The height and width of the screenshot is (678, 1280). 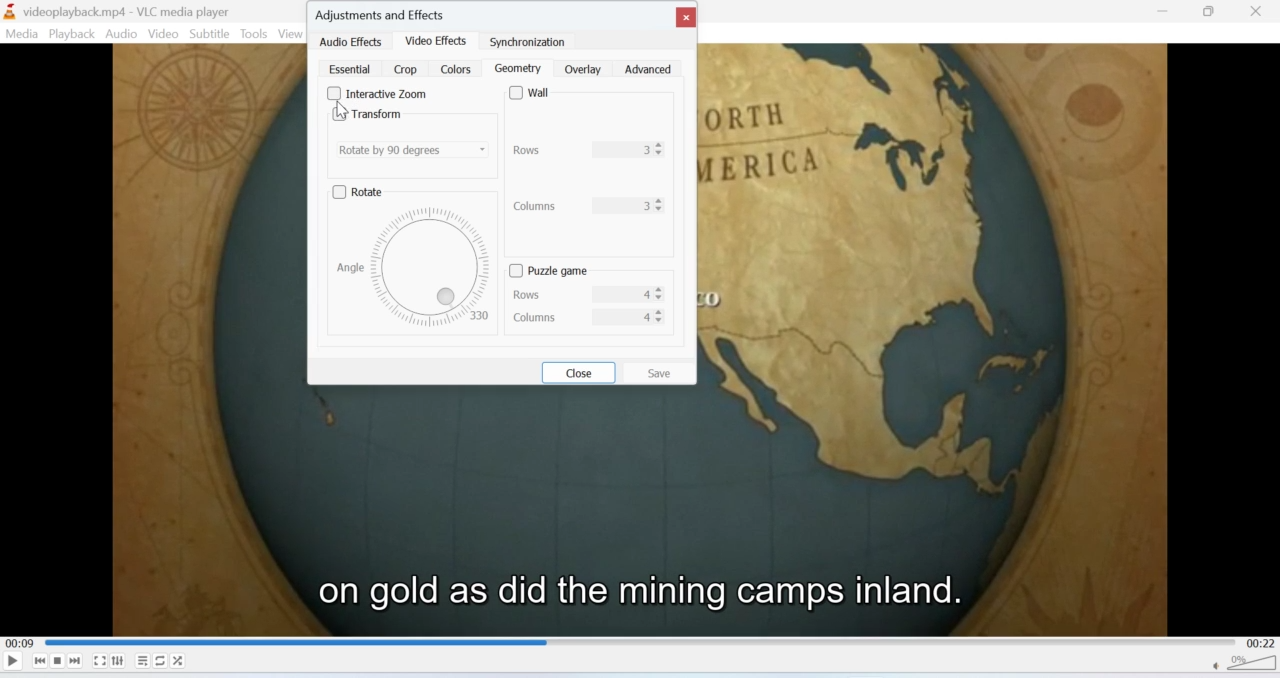 I want to click on synchronization, so click(x=528, y=42).